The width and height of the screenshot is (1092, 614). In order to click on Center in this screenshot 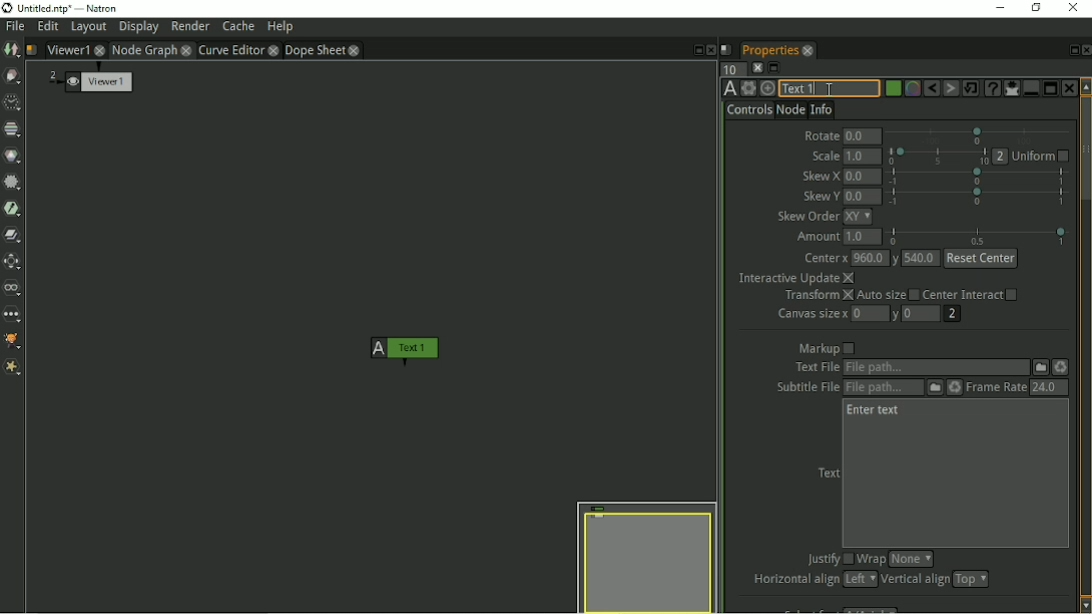, I will do `click(823, 256)`.